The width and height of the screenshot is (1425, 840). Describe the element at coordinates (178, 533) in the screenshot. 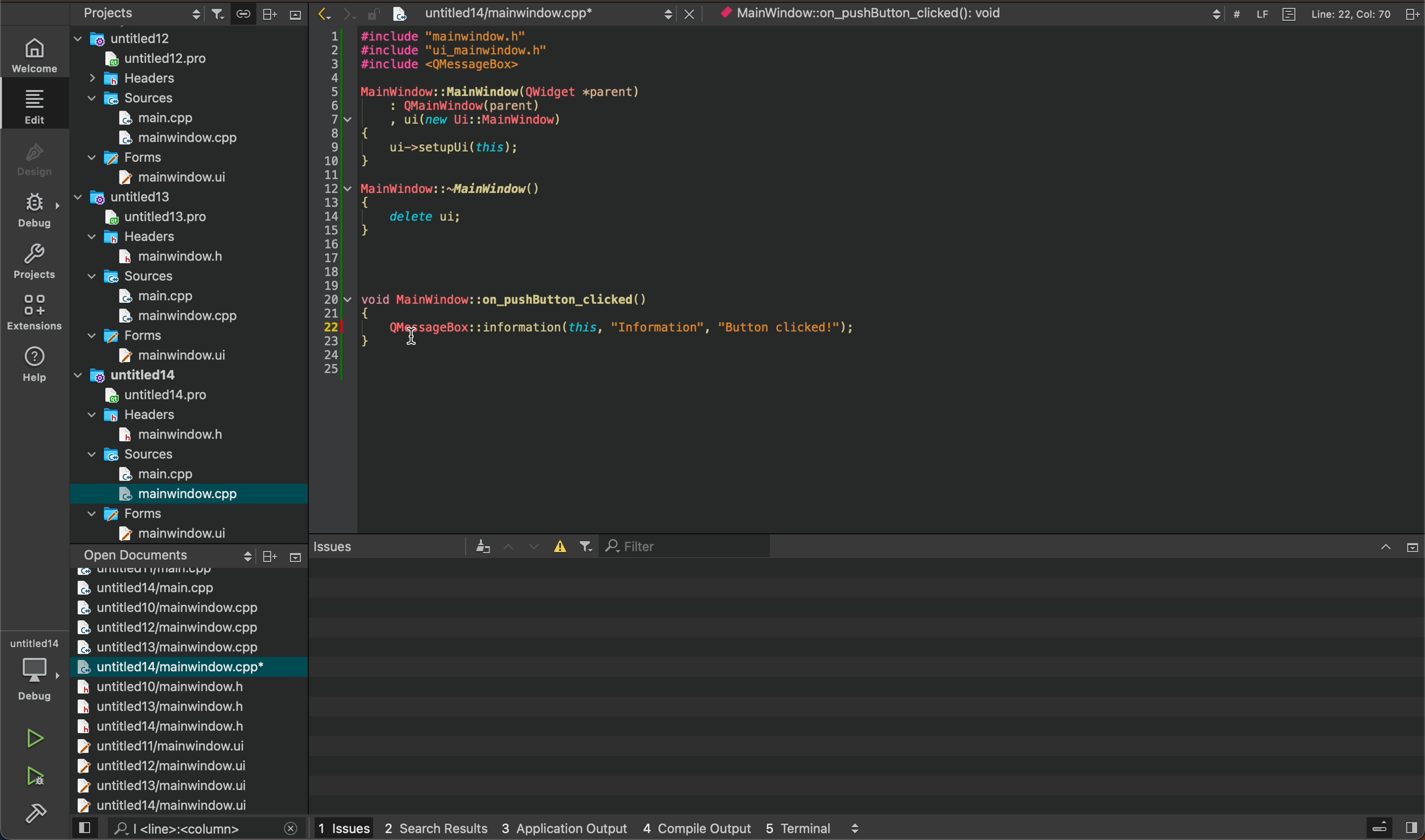

I see `main window` at that location.